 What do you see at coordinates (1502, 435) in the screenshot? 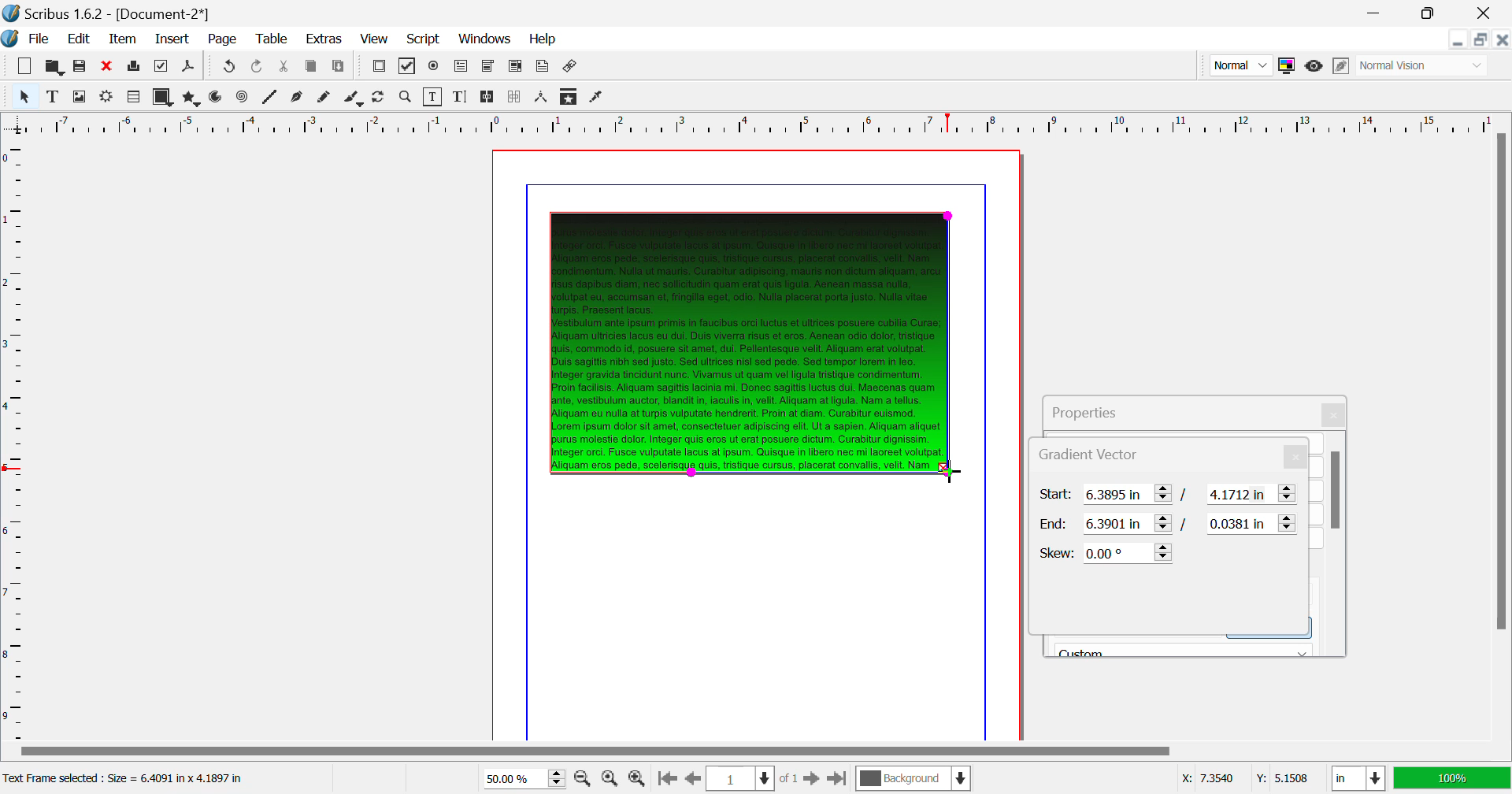
I see `Scroll Bar` at bounding box center [1502, 435].